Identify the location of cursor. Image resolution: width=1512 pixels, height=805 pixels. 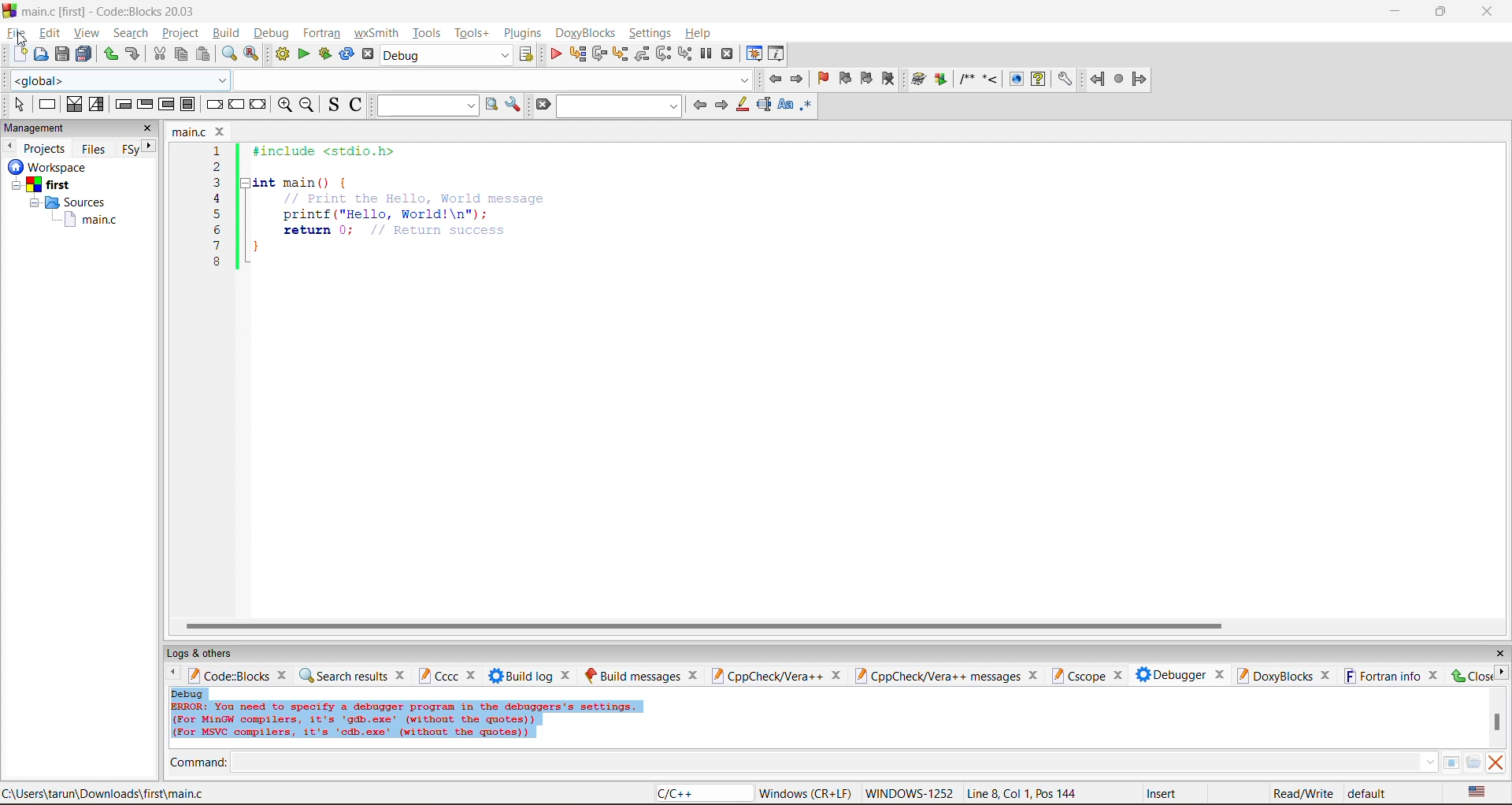
(24, 40).